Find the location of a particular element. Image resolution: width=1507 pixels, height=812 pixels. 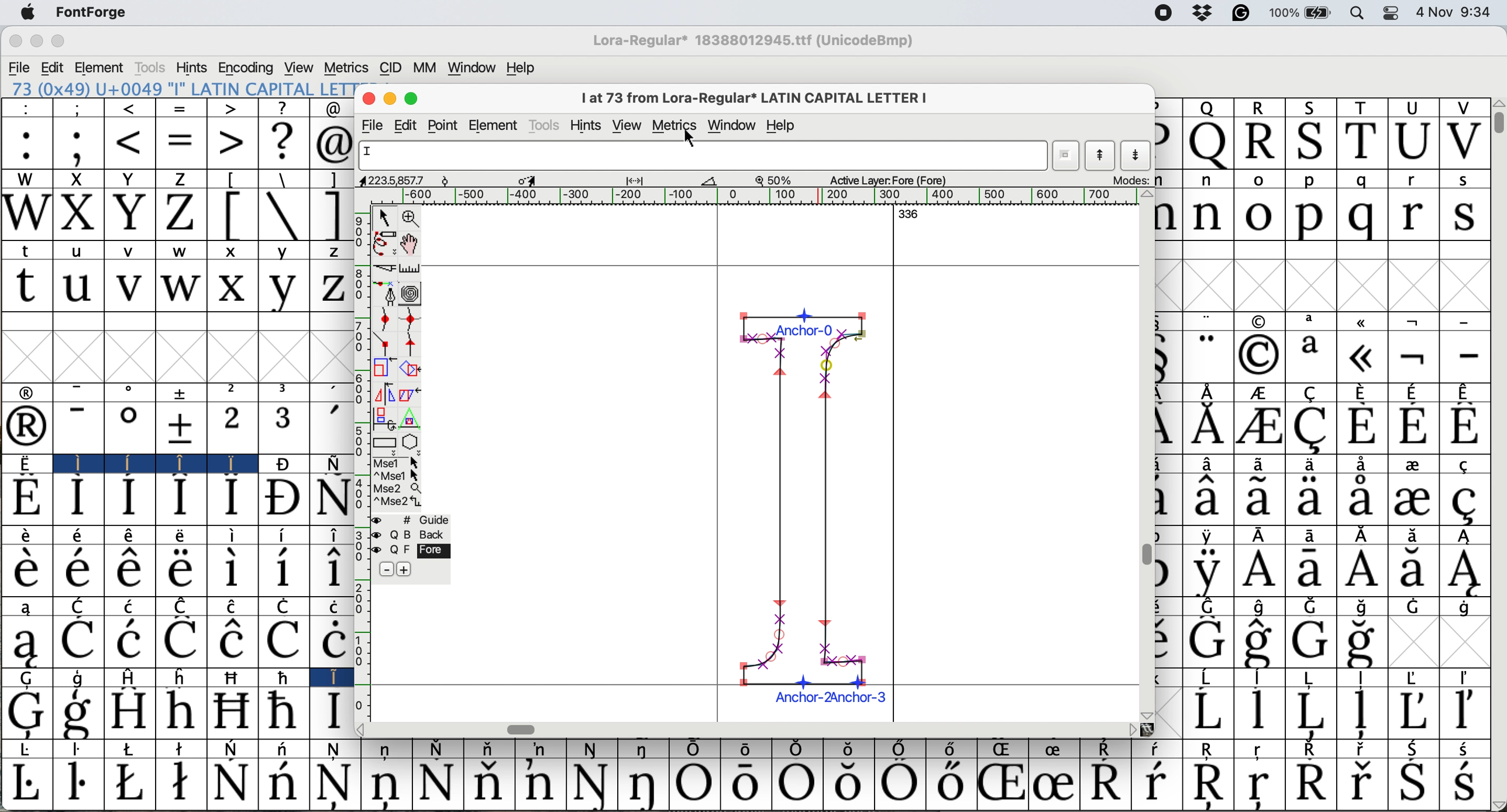

drop box is located at coordinates (1203, 14).